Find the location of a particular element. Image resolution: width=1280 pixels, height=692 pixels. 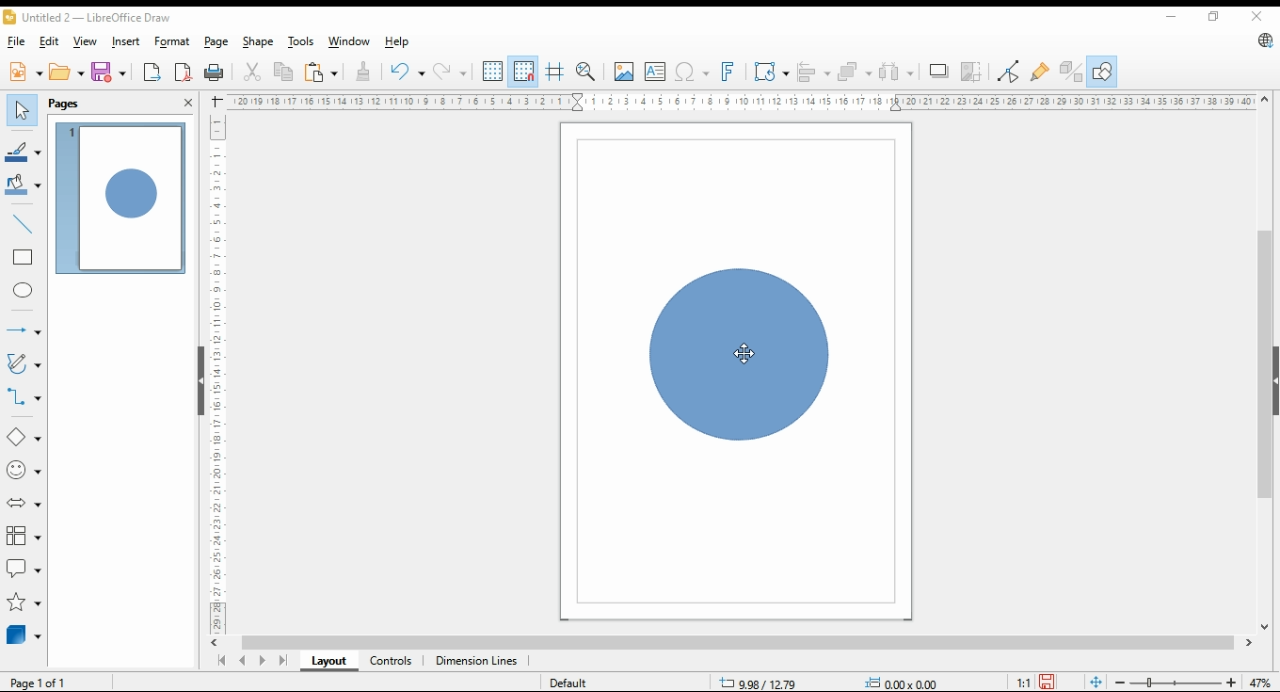

format is located at coordinates (173, 41).